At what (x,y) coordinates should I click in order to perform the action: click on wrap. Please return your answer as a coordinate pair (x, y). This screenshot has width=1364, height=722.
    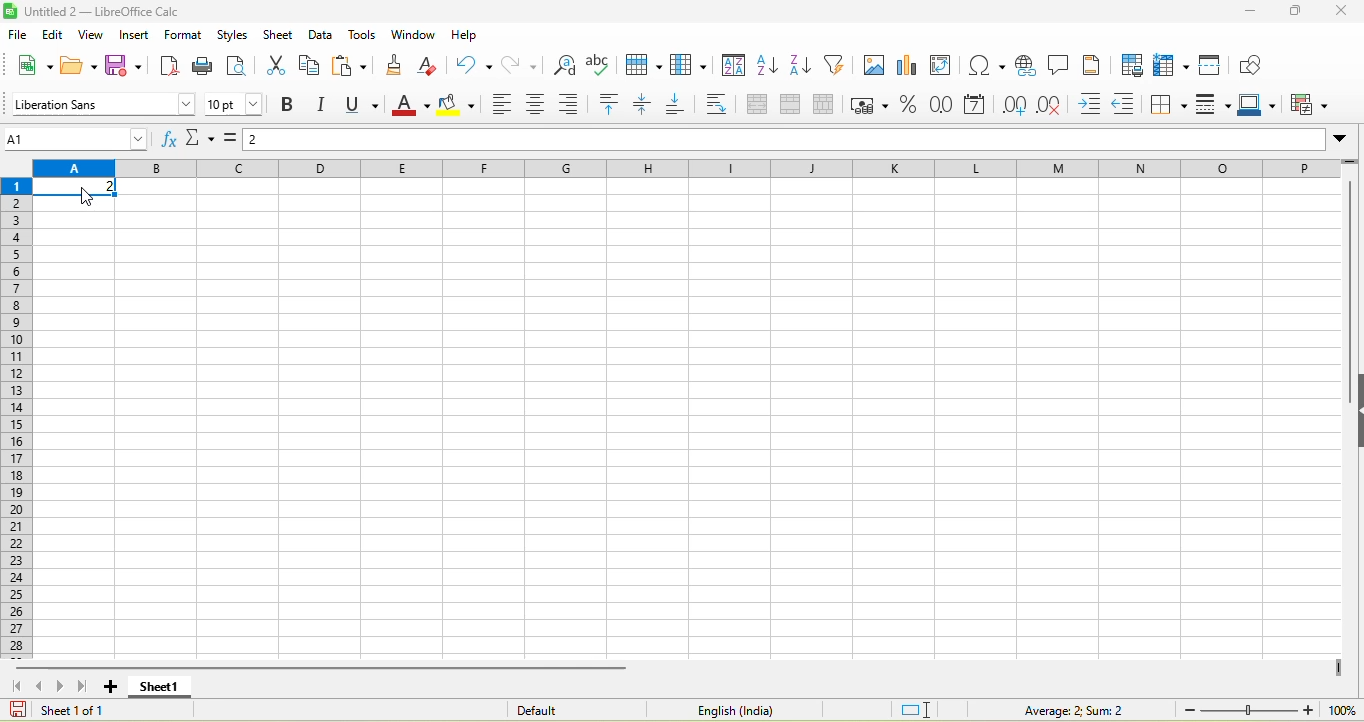
    Looking at the image, I should click on (723, 105).